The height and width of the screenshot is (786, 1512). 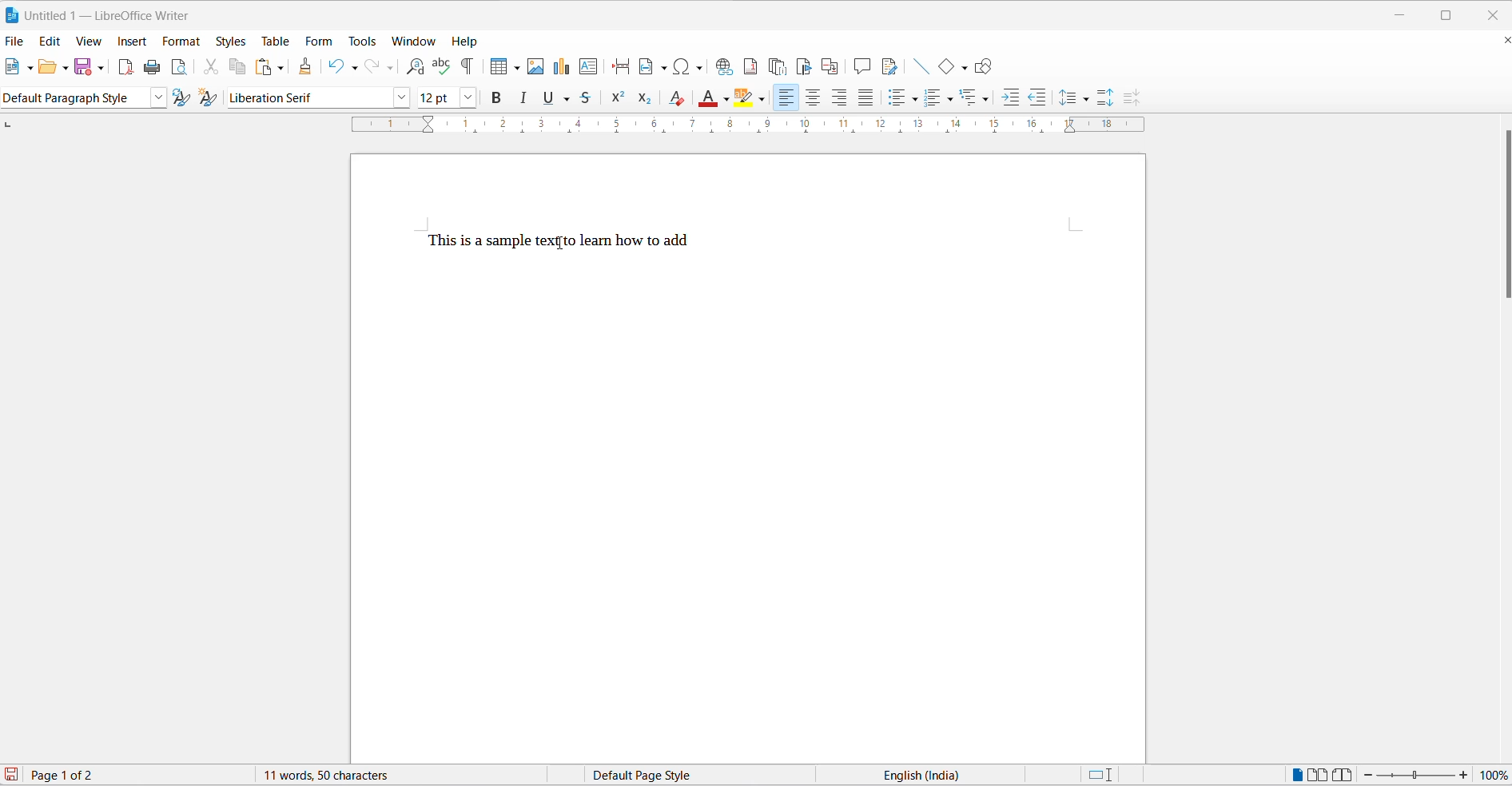 I want to click on single page view, so click(x=1294, y=774).